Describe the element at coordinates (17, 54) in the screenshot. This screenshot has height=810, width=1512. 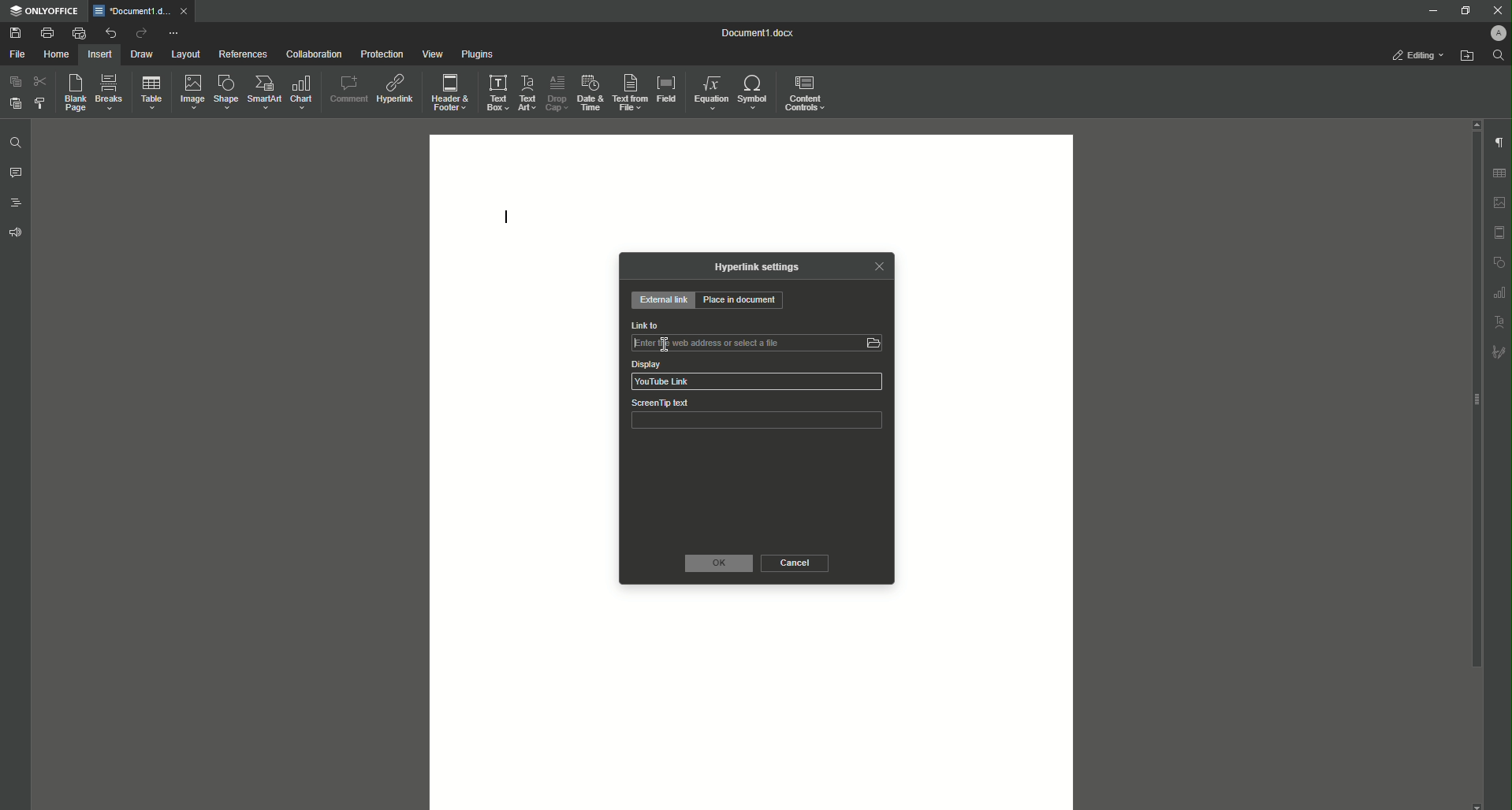
I see `File` at that location.